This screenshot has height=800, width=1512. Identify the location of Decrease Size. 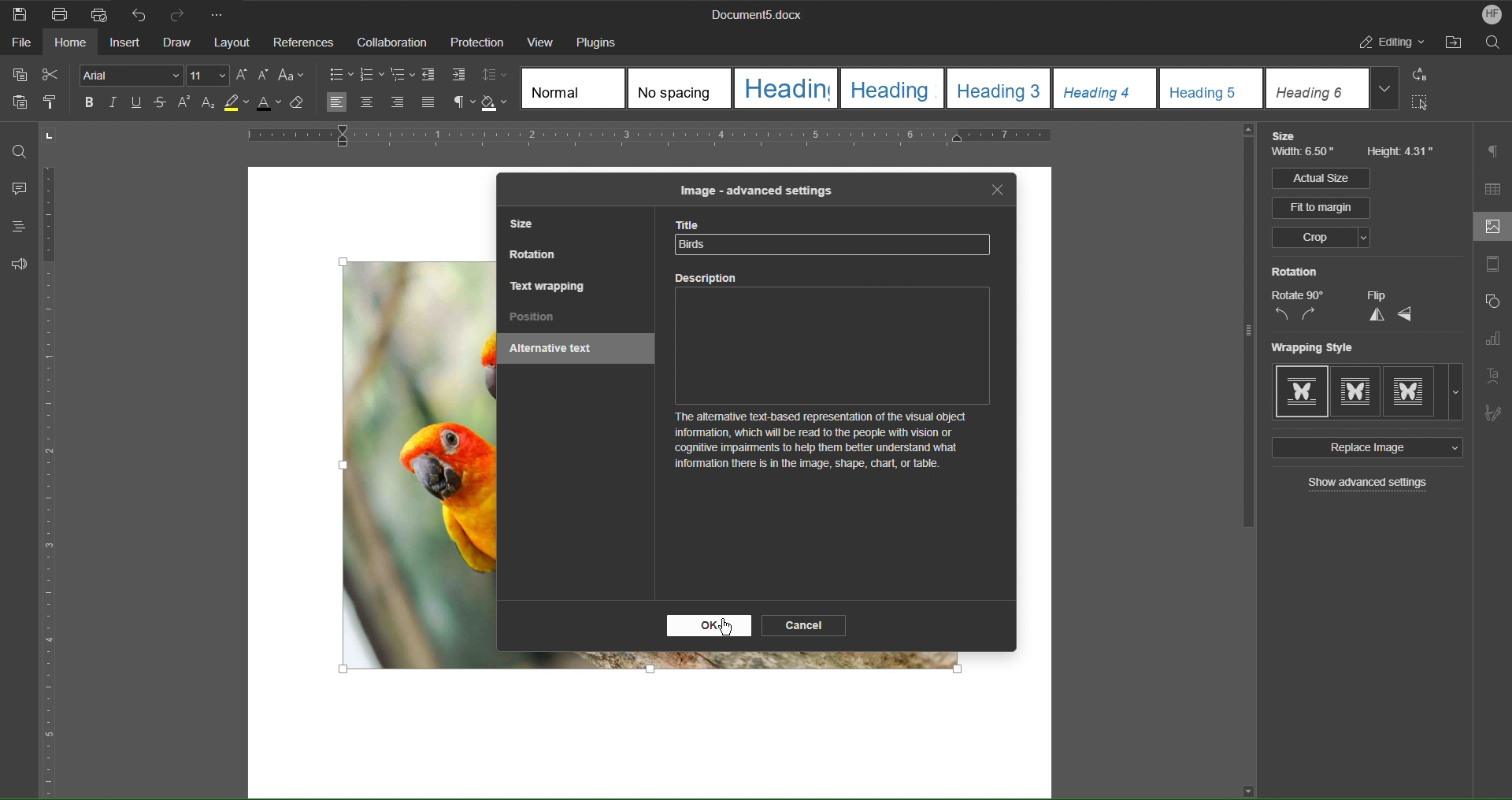
(266, 76).